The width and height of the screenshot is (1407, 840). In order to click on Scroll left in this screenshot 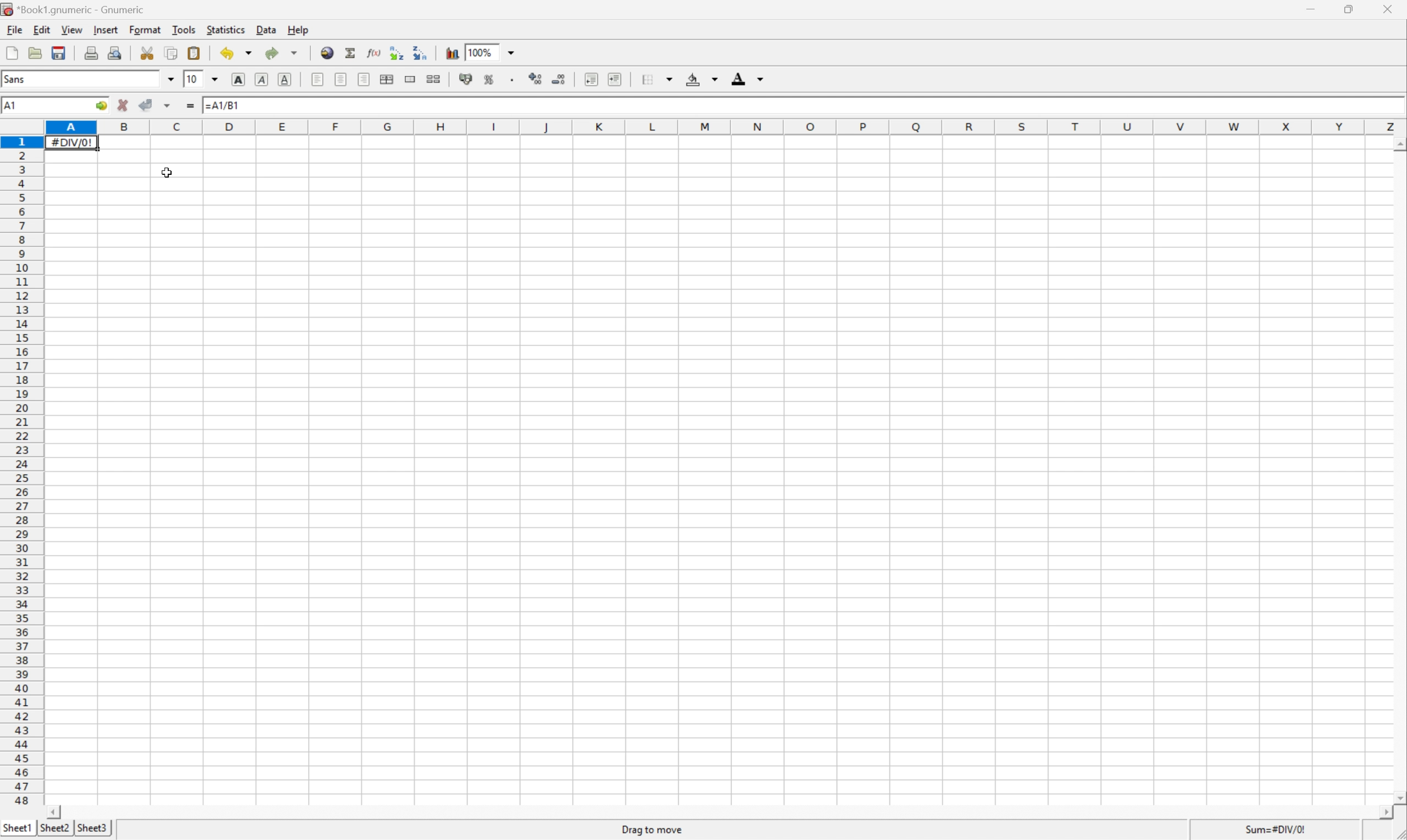, I will do `click(62, 802)`.